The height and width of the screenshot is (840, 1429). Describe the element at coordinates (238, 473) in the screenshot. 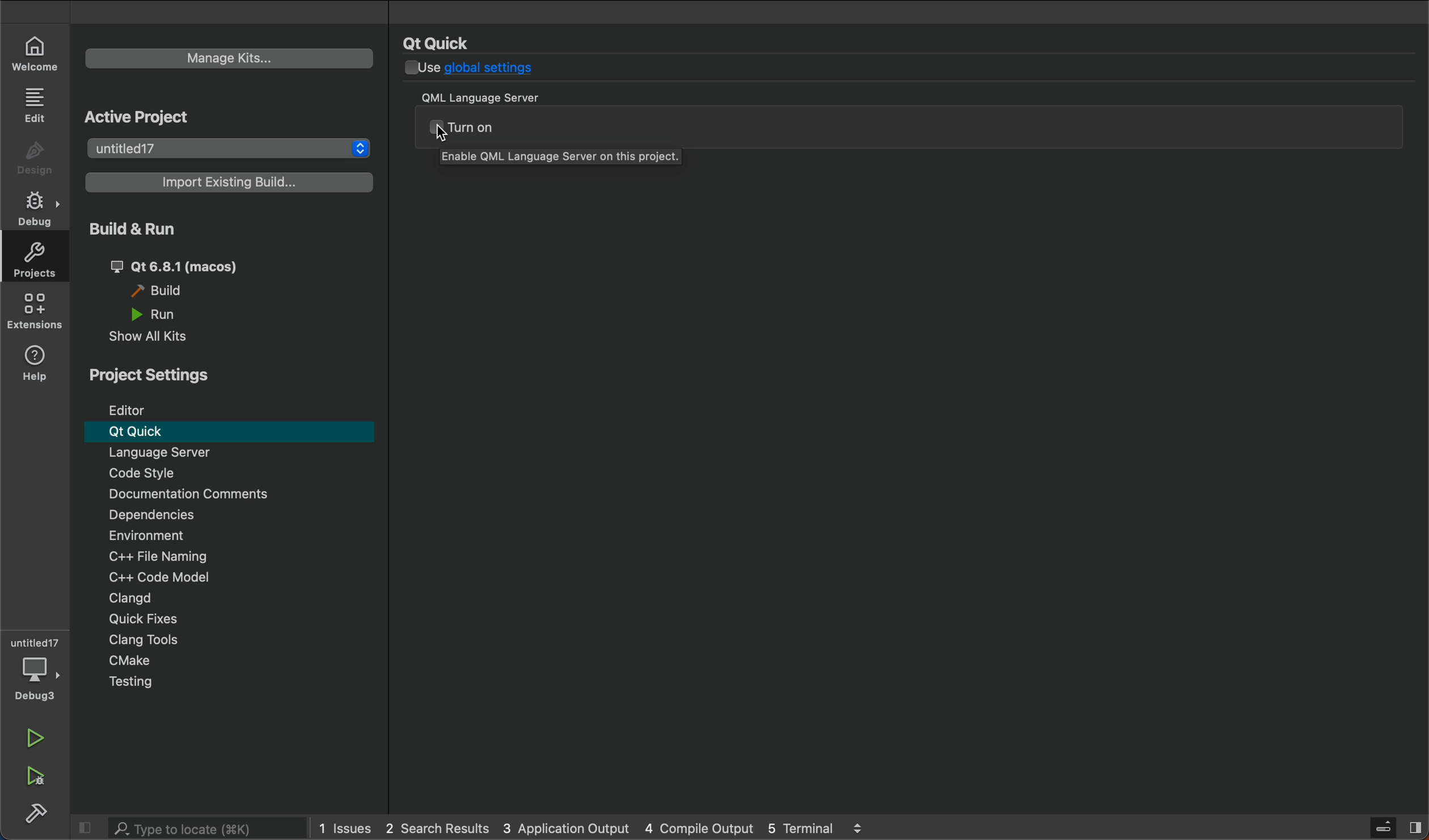

I see `code style` at that location.